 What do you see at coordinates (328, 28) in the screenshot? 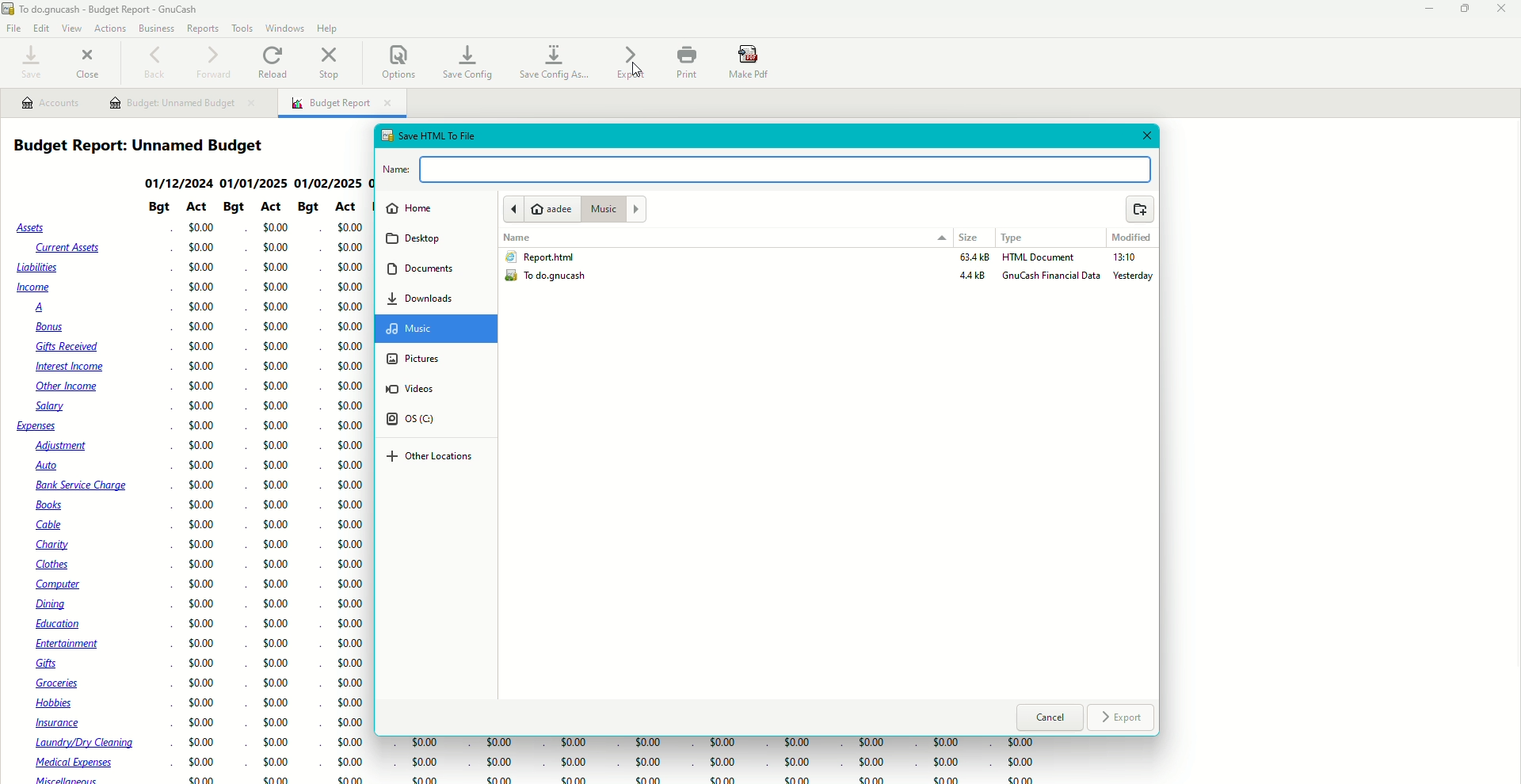
I see `Help` at bounding box center [328, 28].